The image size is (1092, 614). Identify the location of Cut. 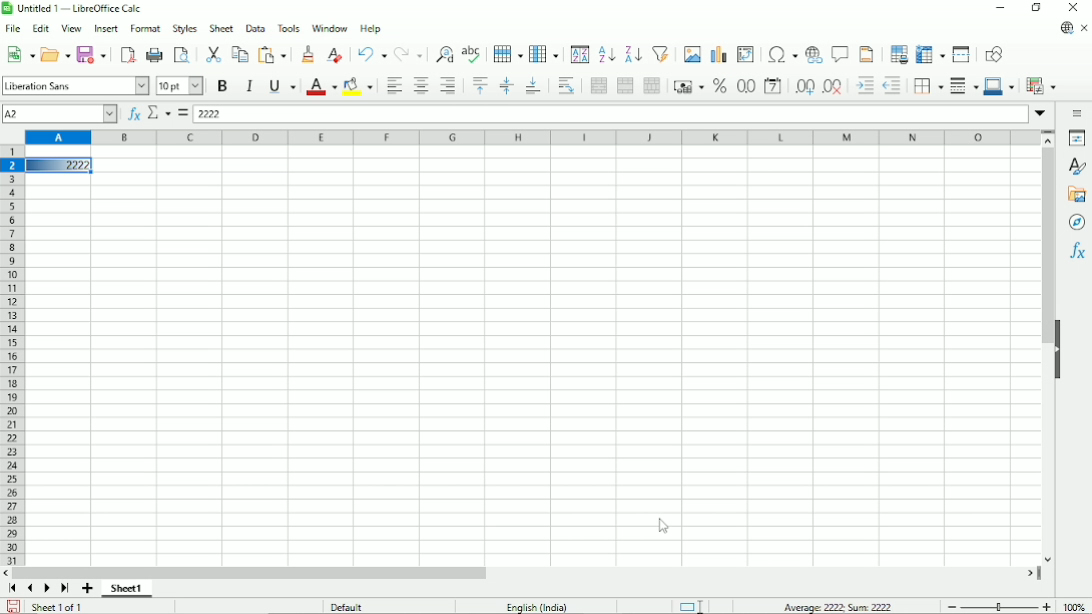
(212, 54).